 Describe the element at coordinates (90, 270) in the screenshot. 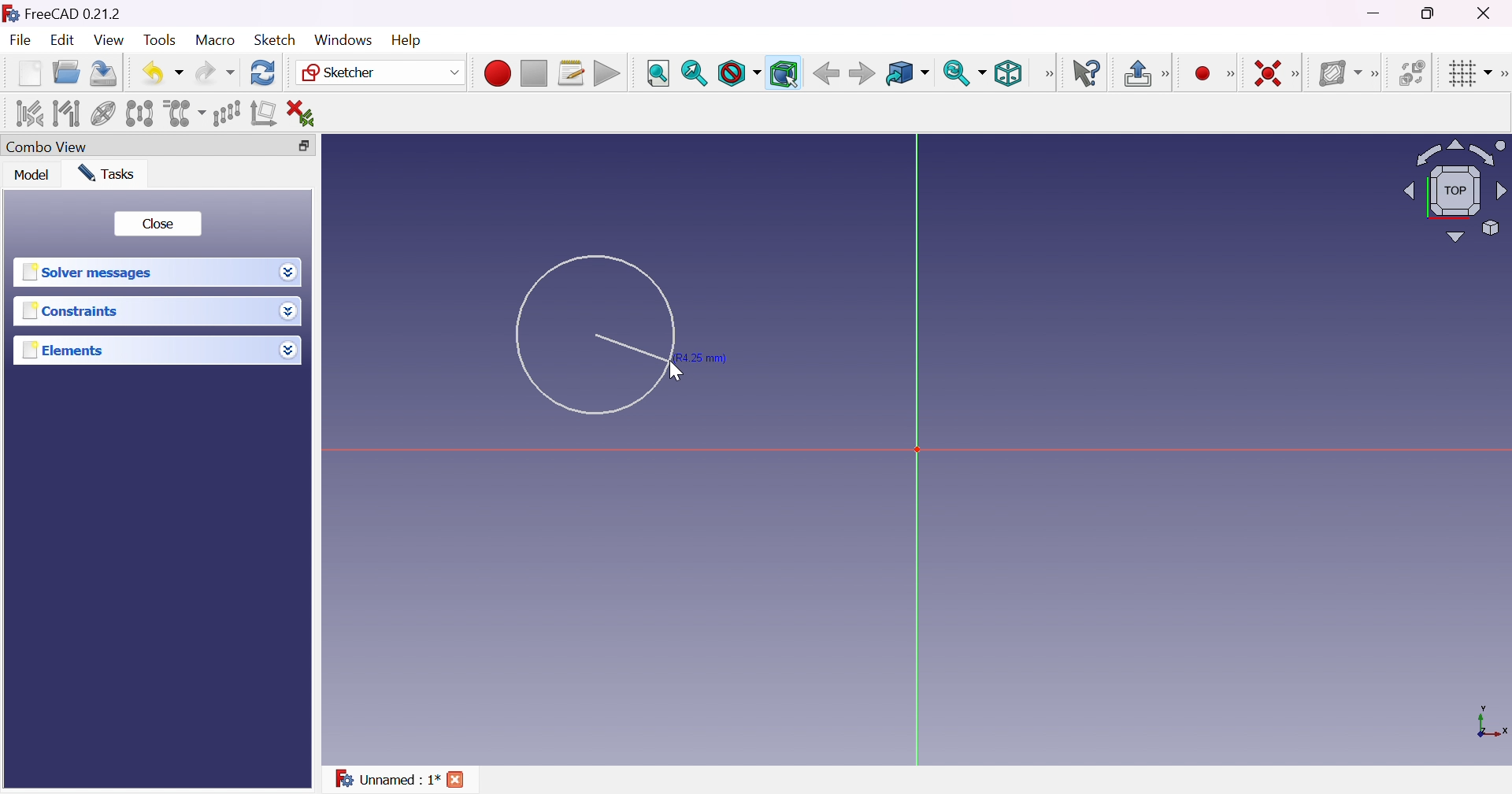

I see `Solver messages` at that location.